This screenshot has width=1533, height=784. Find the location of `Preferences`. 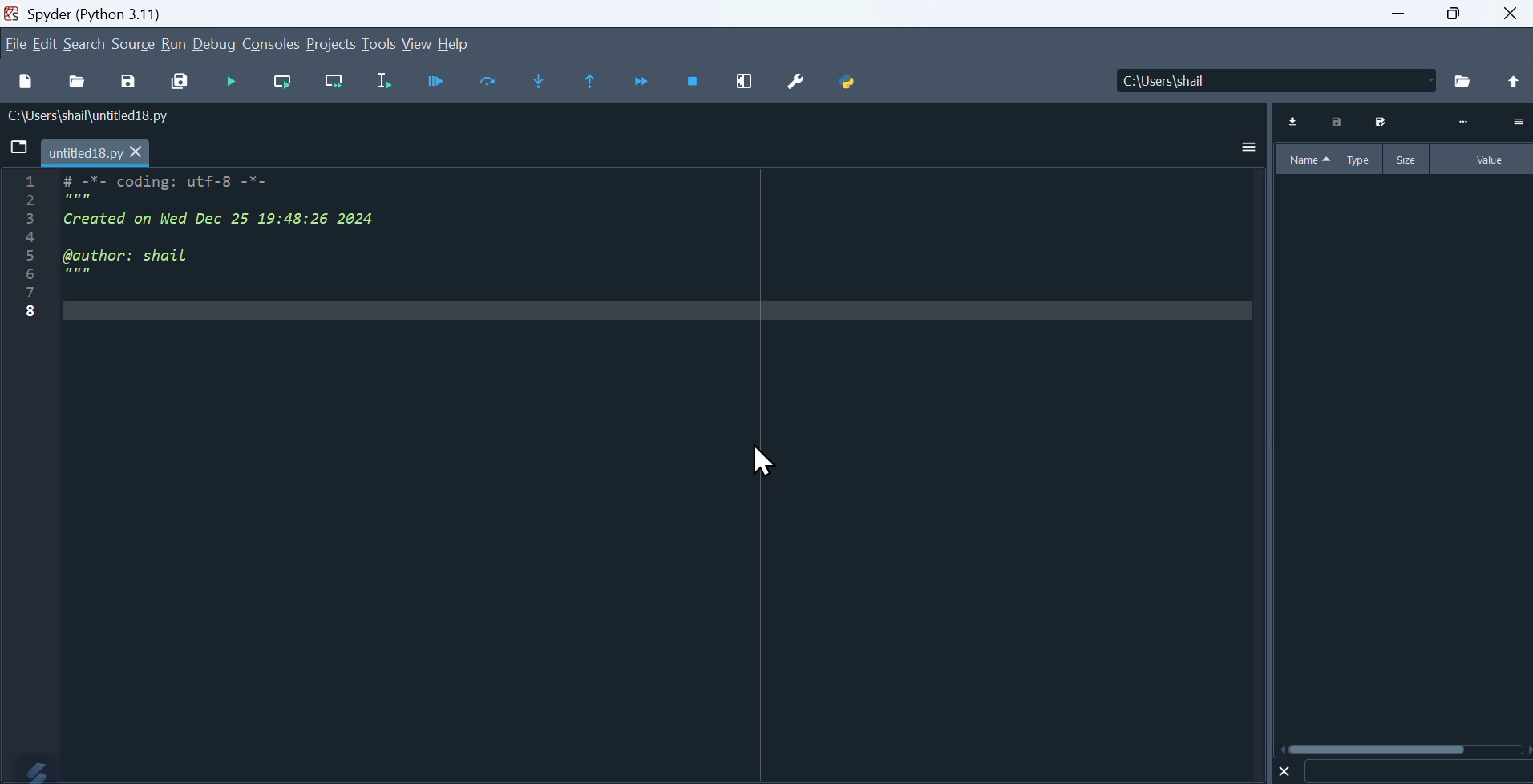

Preferences is located at coordinates (793, 84).